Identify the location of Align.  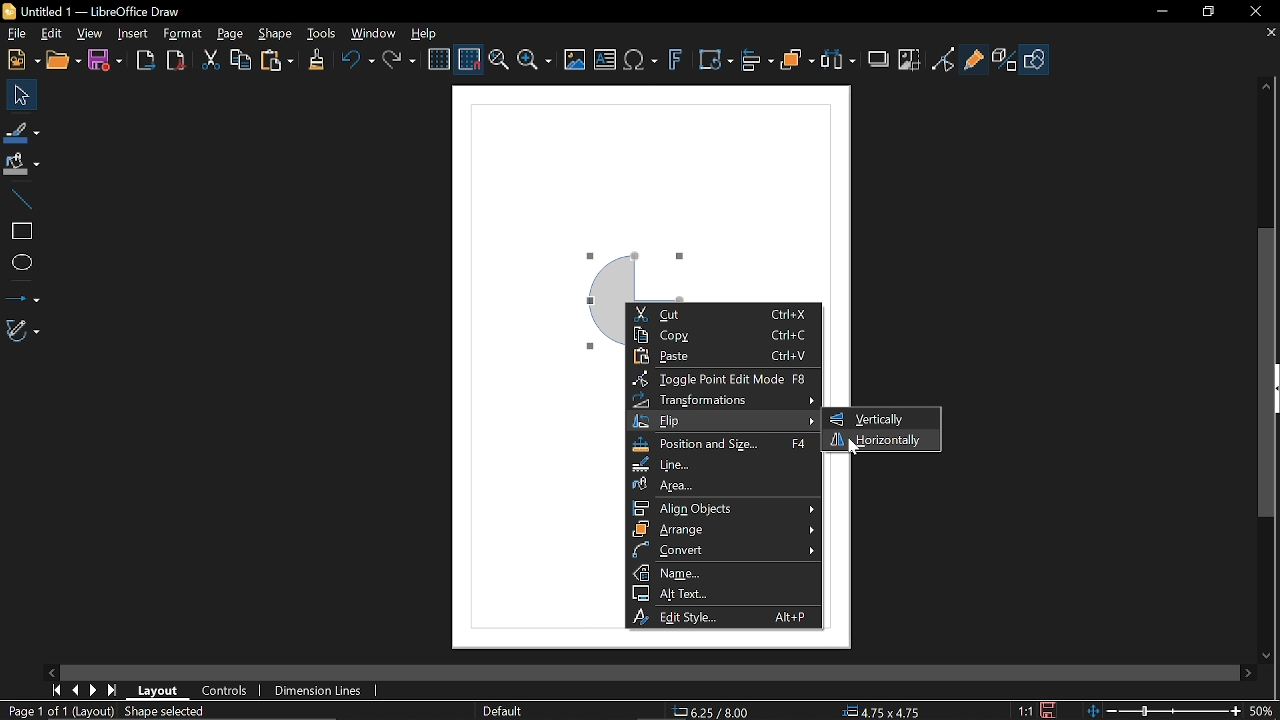
(758, 60).